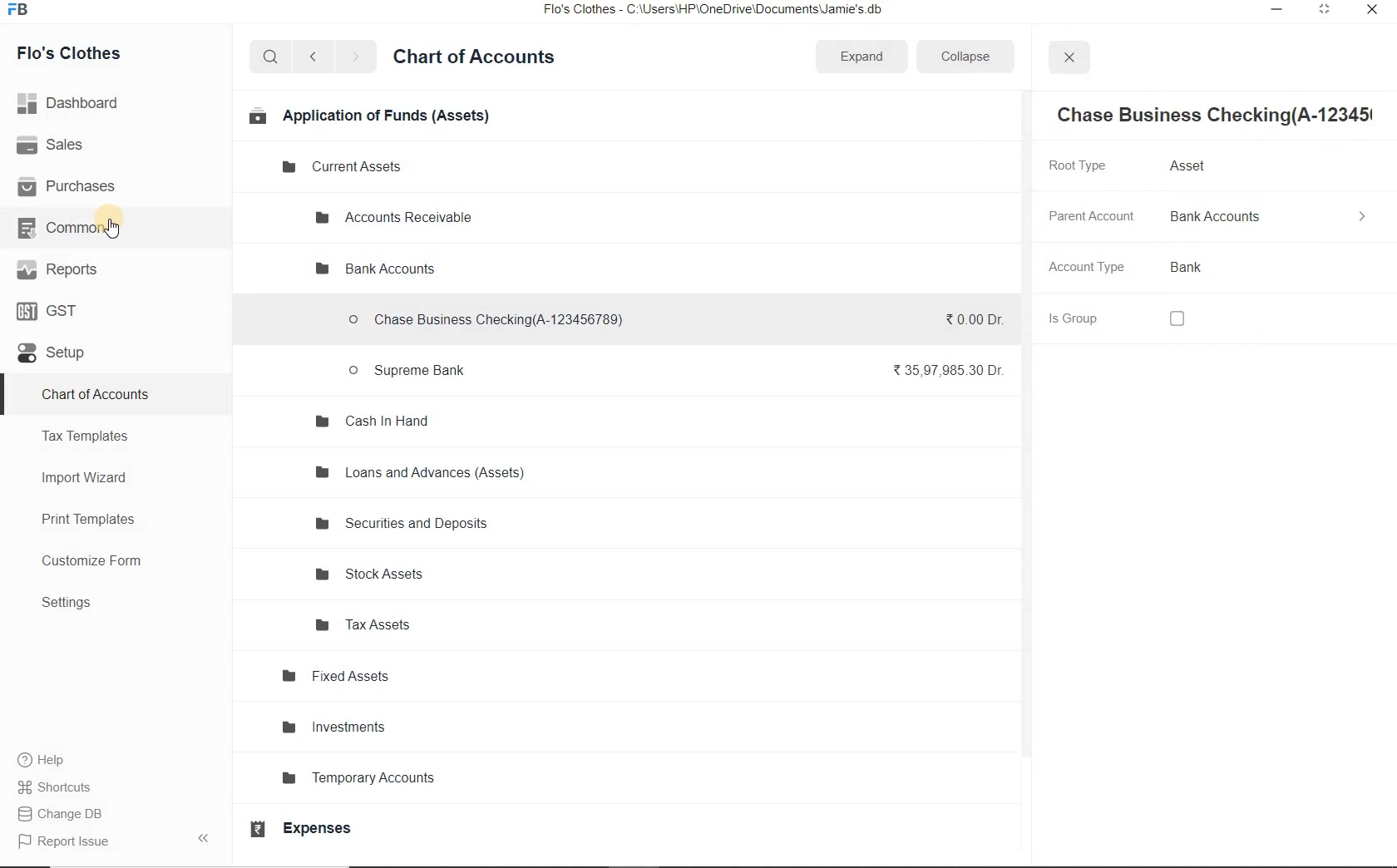 Image resolution: width=1397 pixels, height=868 pixels. Describe the element at coordinates (1084, 318) in the screenshot. I see `Is Group` at that location.